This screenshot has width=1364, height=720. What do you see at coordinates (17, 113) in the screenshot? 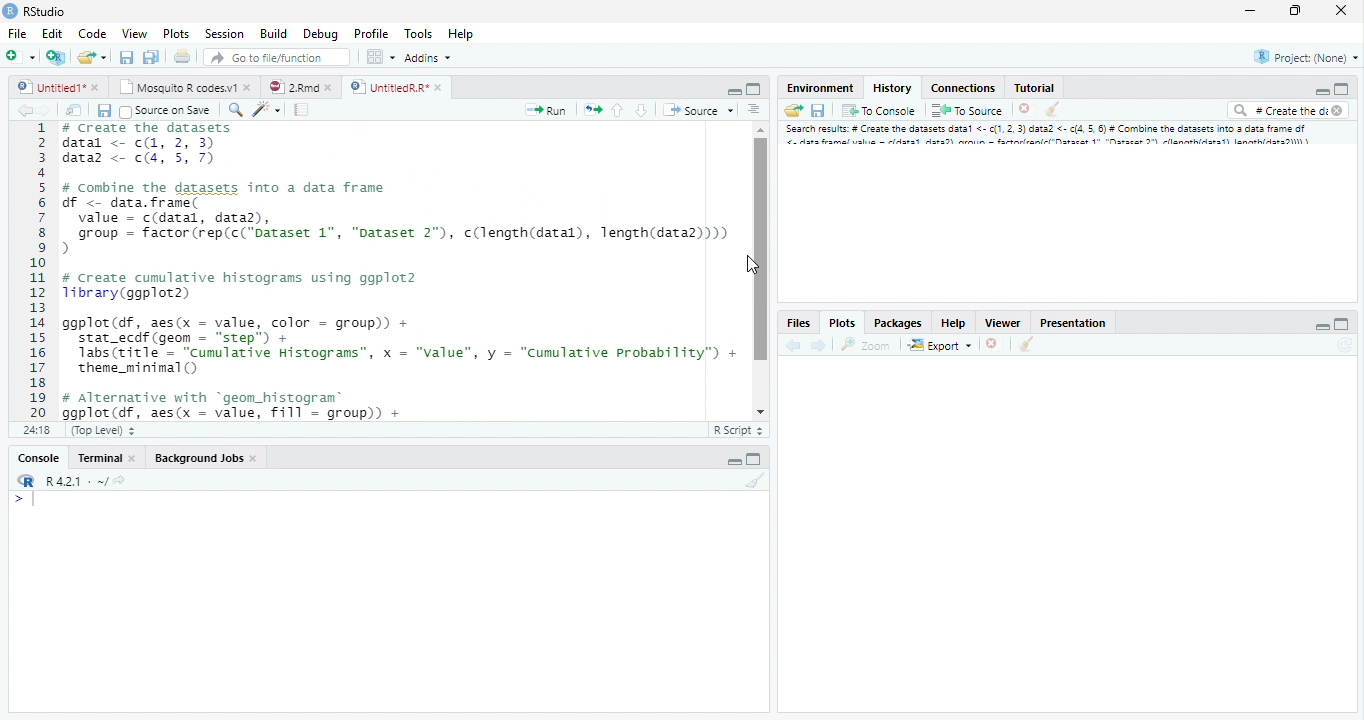
I see `Back` at bounding box center [17, 113].